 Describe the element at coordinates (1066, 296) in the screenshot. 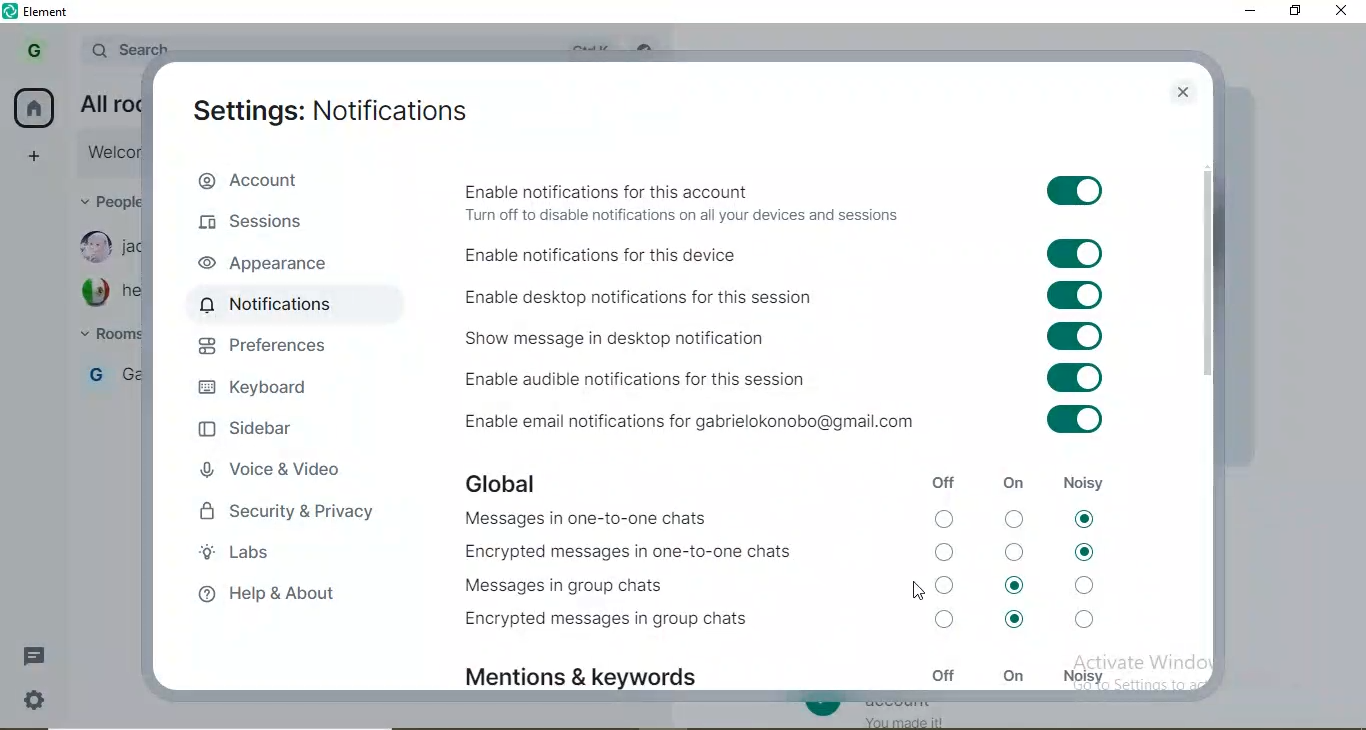

I see `toggle` at that location.